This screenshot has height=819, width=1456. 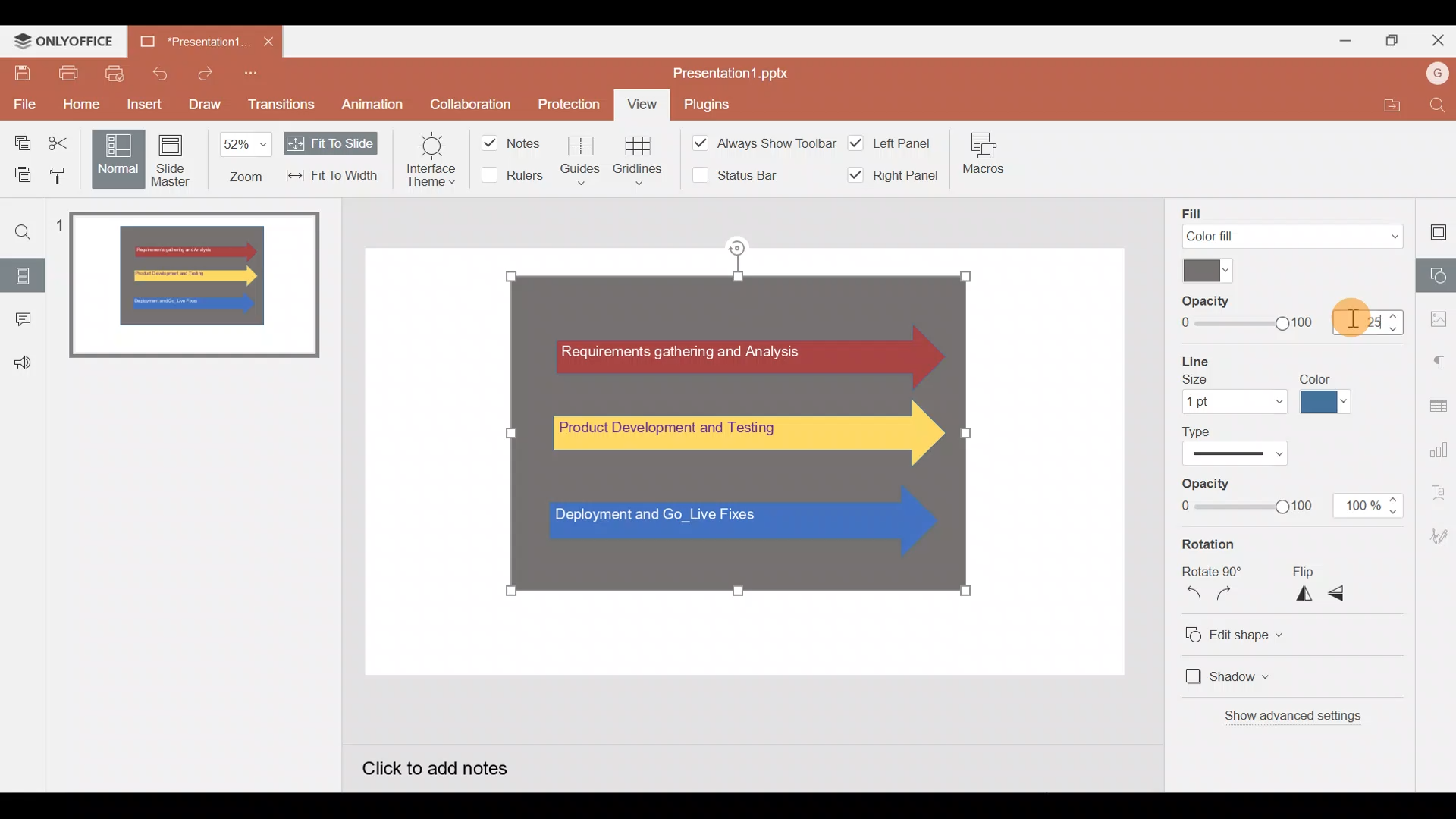 What do you see at coordinates (639, 159) in the screenshot?
I see `Gridlines` at bounding box center [639, 159].